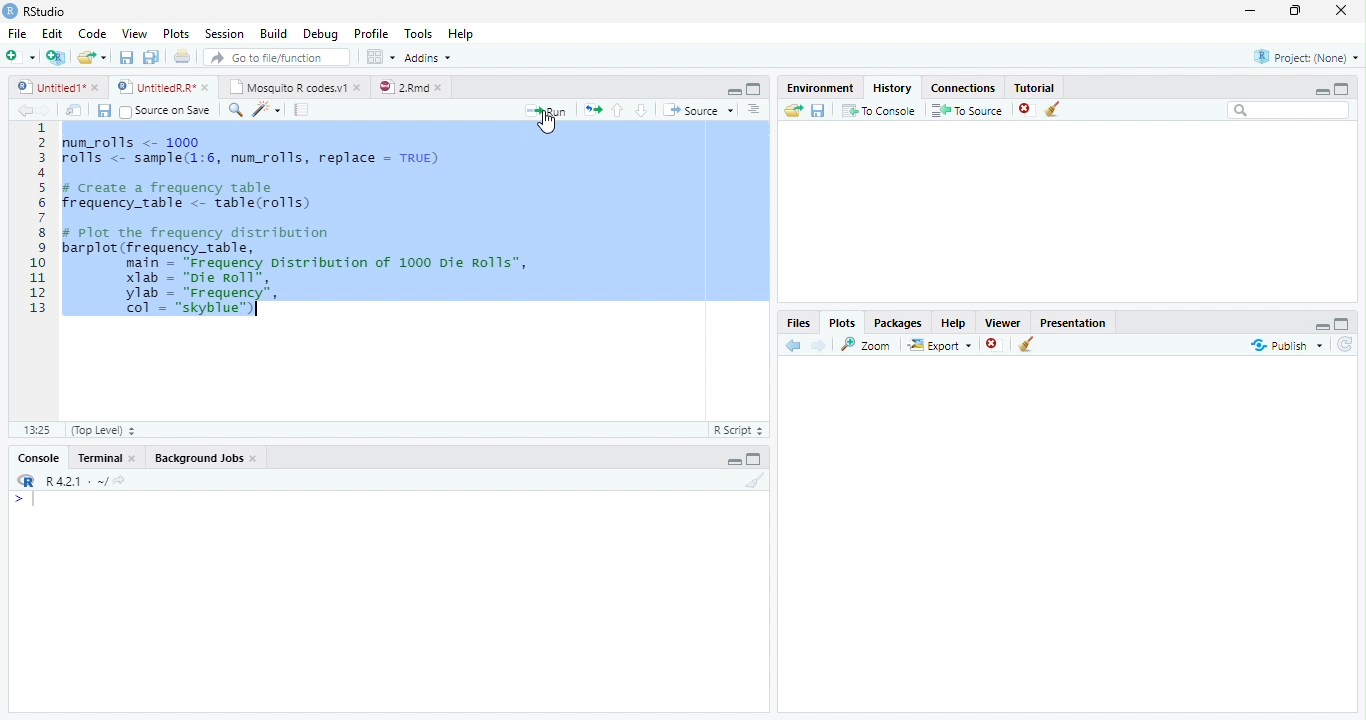  Describe the element at coordinates (388, 267) in the screenshot. I see `Code Editor` at that location.